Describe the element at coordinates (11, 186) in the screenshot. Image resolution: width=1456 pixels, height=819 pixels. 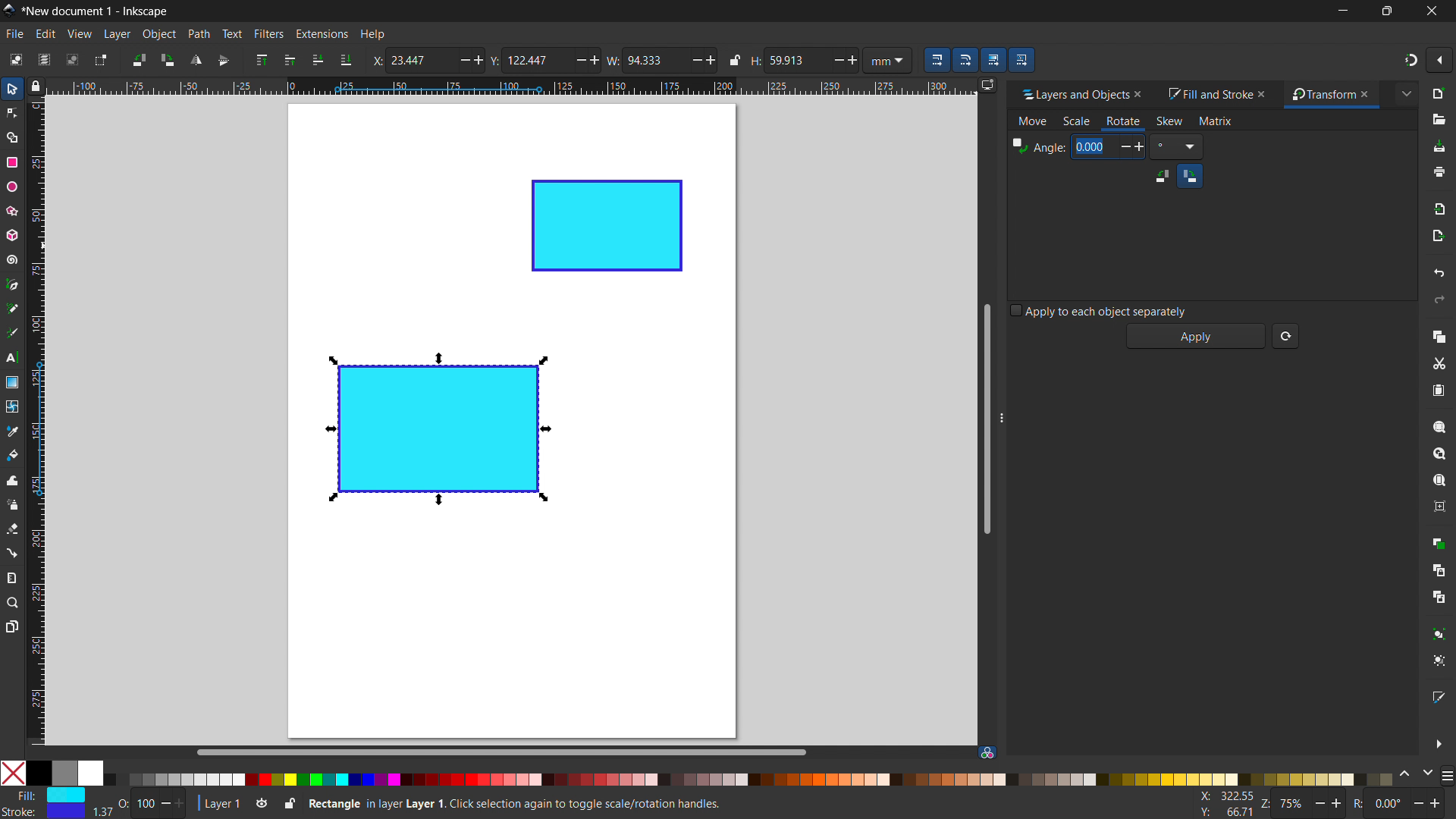
I see `ellipse tool` at that location.